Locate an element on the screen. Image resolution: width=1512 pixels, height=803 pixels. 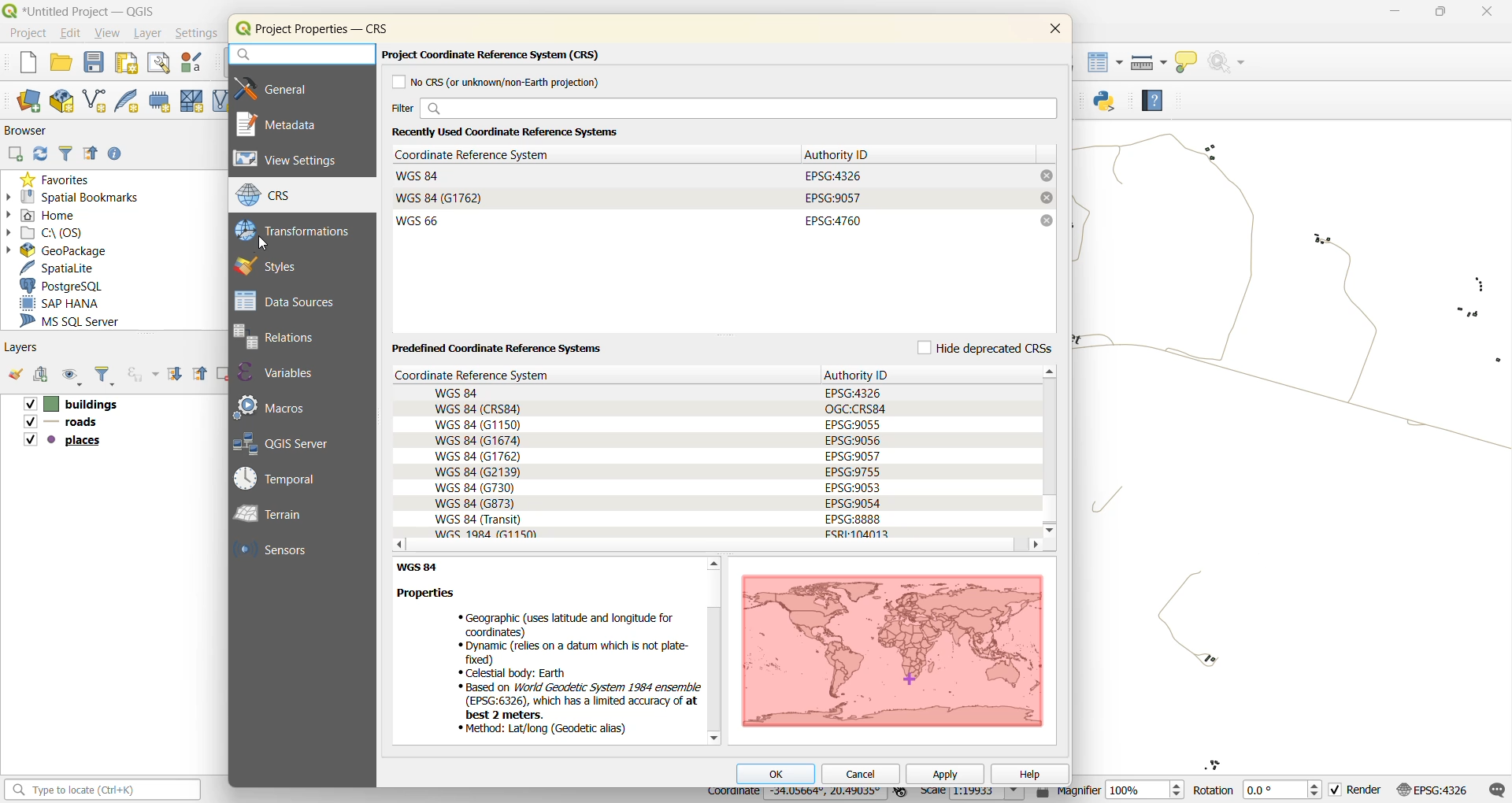
scroll down is located at coordinates (713, 738).